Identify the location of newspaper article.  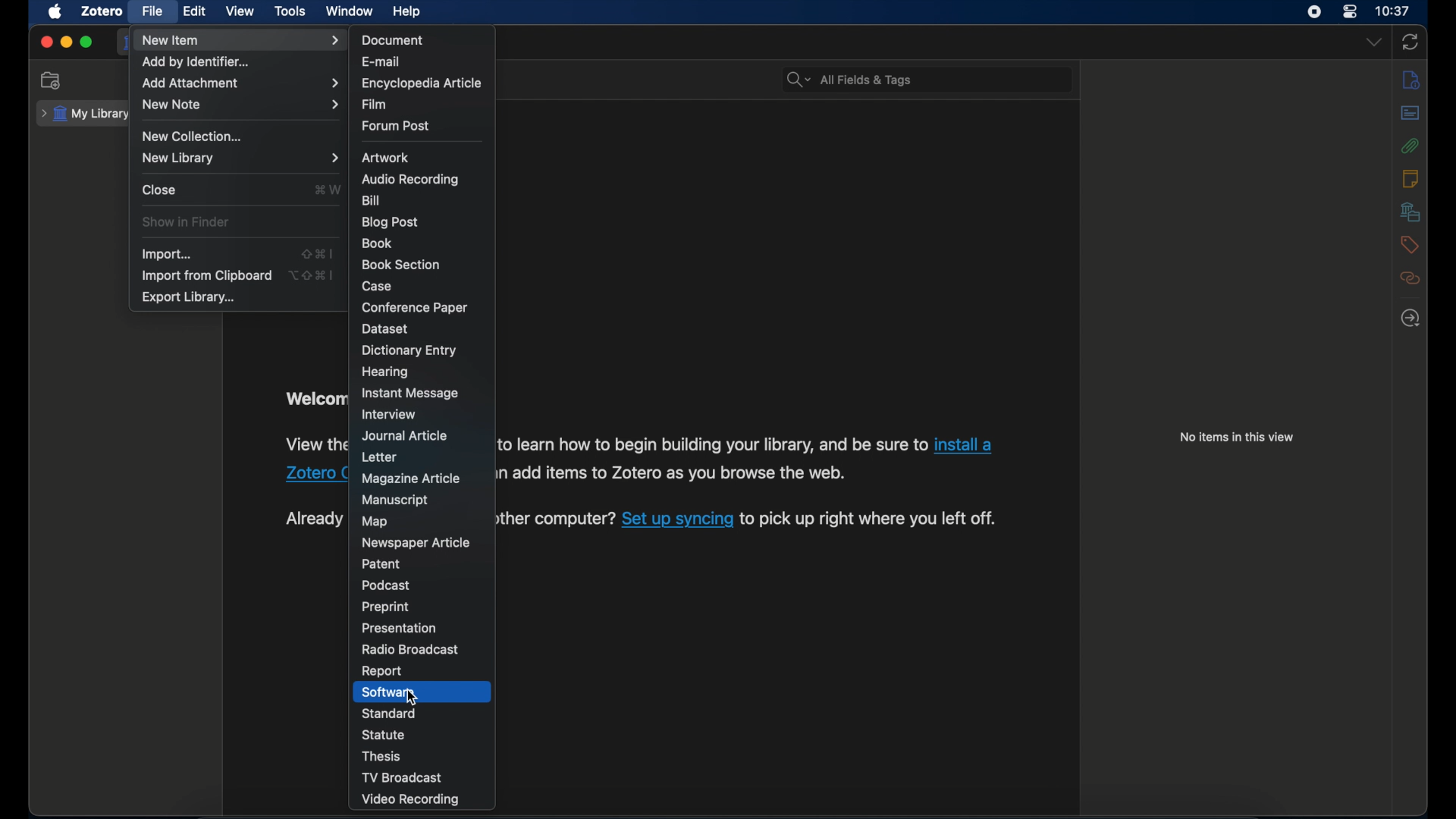
(416, 542).